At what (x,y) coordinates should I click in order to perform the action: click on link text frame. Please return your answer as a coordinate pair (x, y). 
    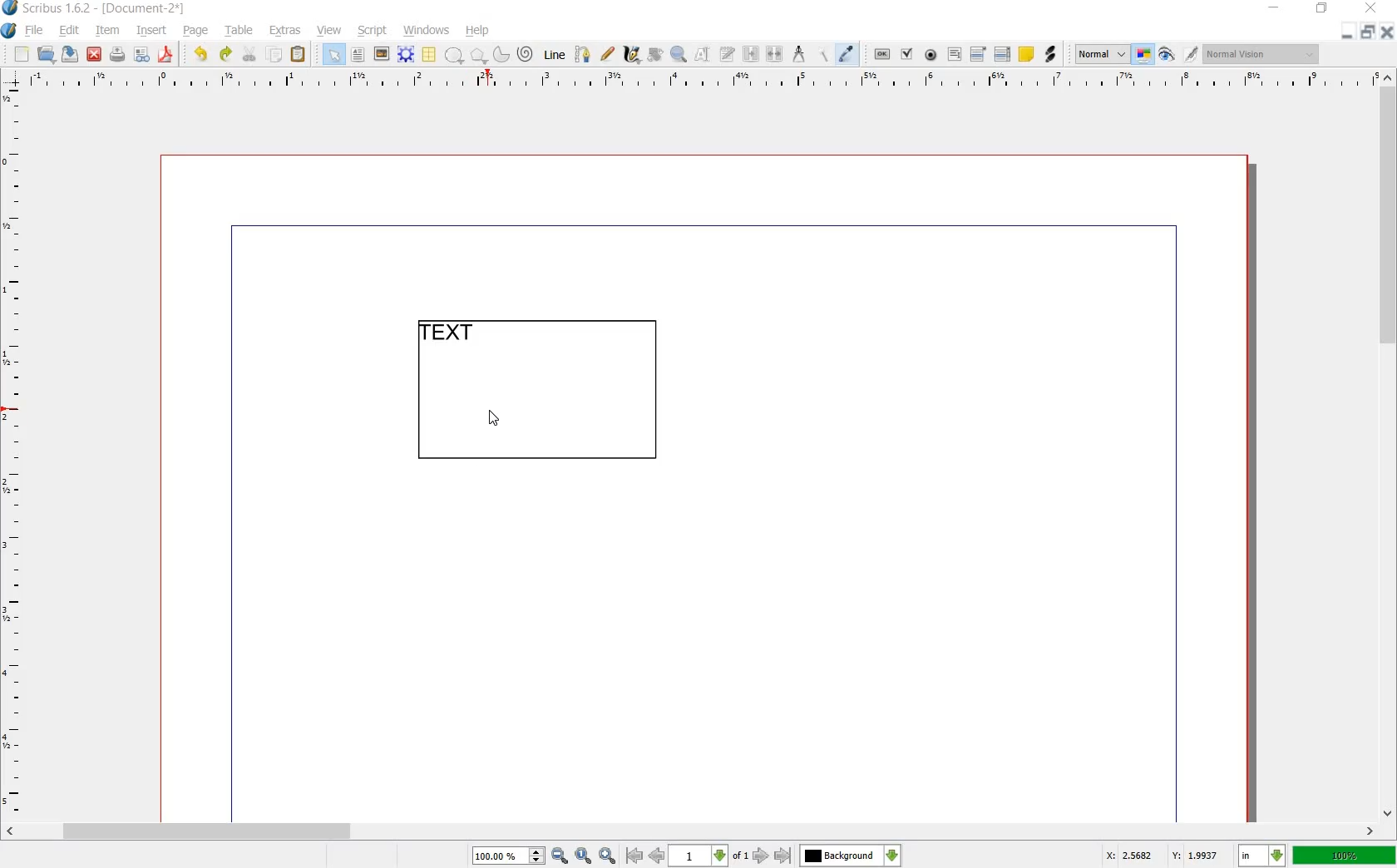
    Looking at the image, I should click on (750, 55).